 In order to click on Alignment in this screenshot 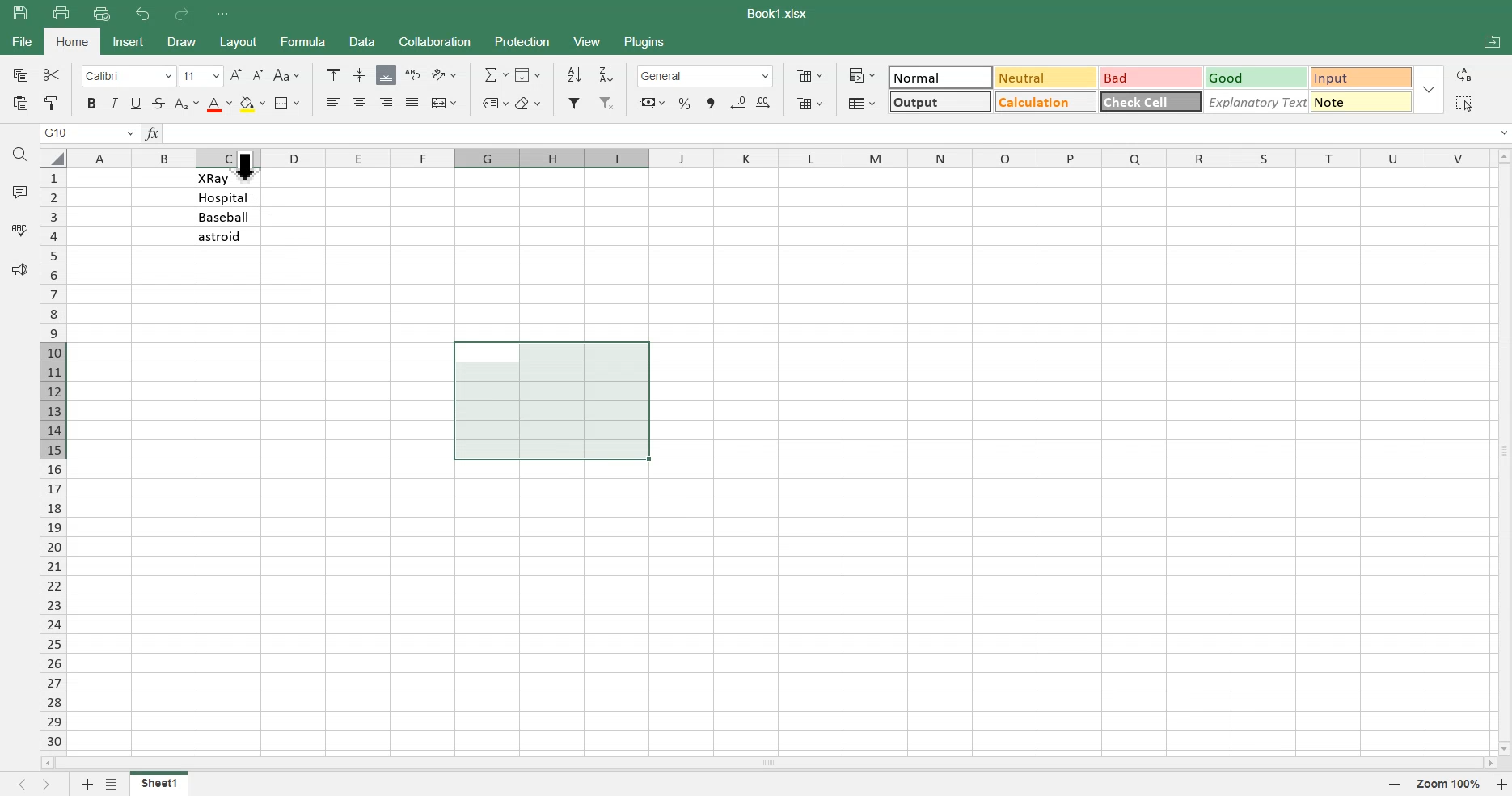, I will do `click(412, 104)`.